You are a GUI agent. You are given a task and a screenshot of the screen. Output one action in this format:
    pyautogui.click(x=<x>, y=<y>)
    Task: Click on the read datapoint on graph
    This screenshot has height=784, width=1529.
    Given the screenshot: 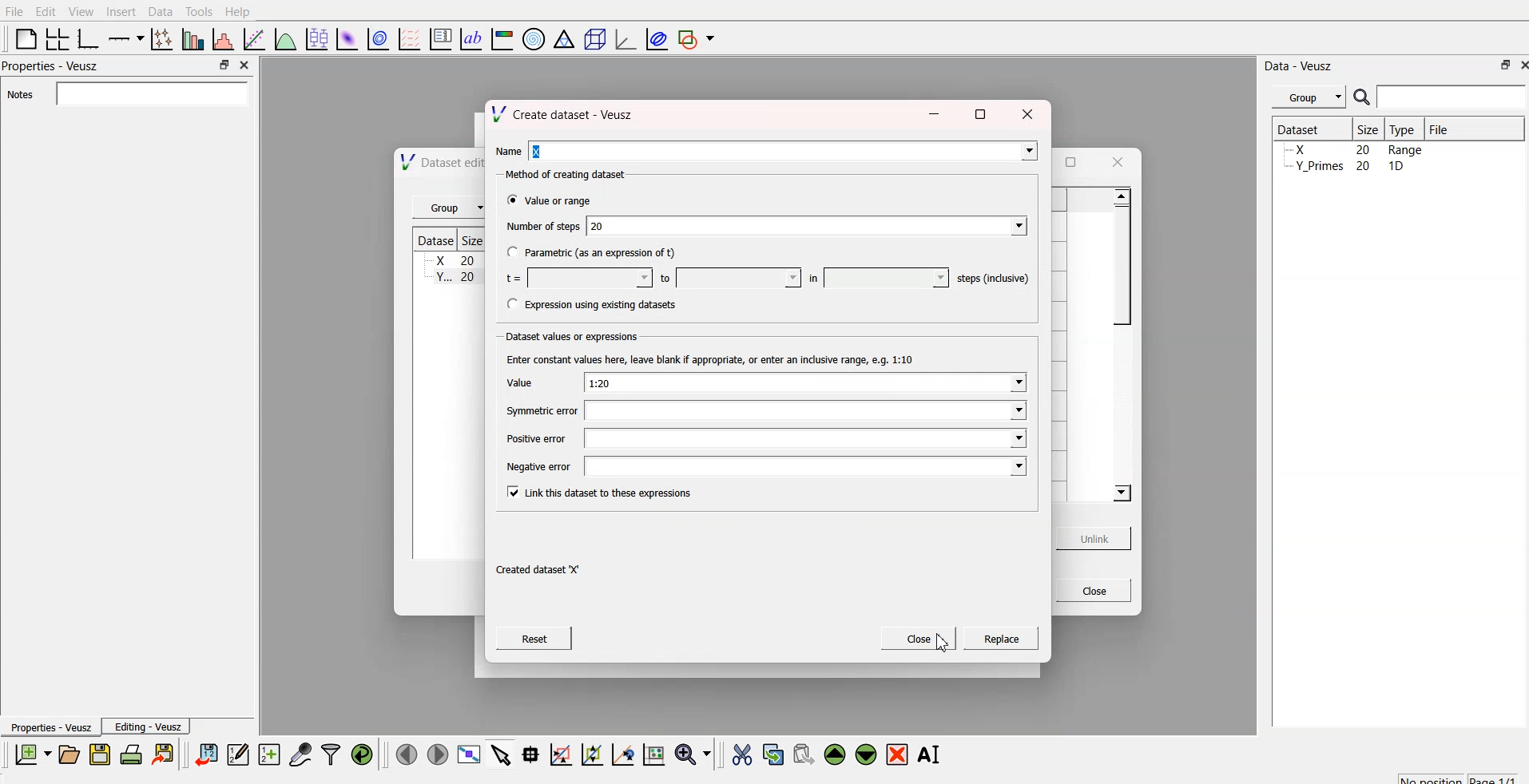 What is the action you would take?
    pyautogui.click(x=529, y=754)
    